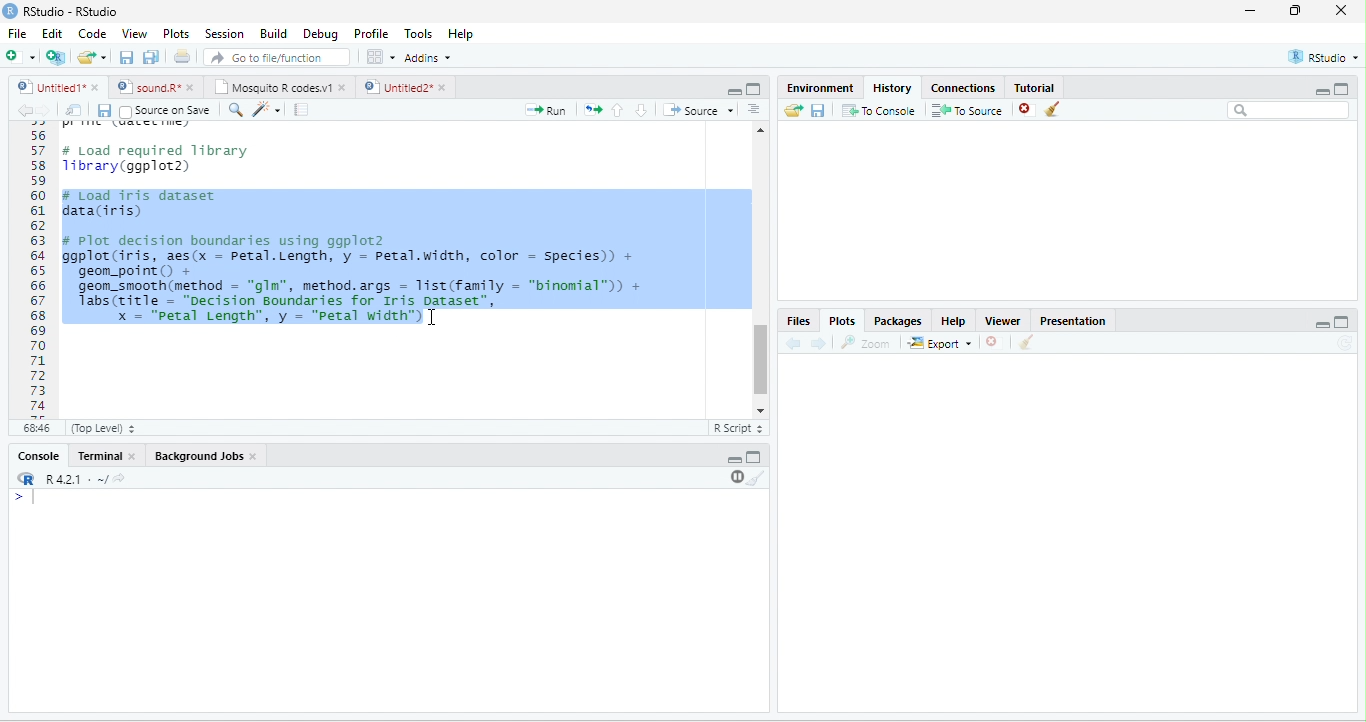  Describe the element at coordinates (344, 88) in the screenshot. I see `close` at that location.